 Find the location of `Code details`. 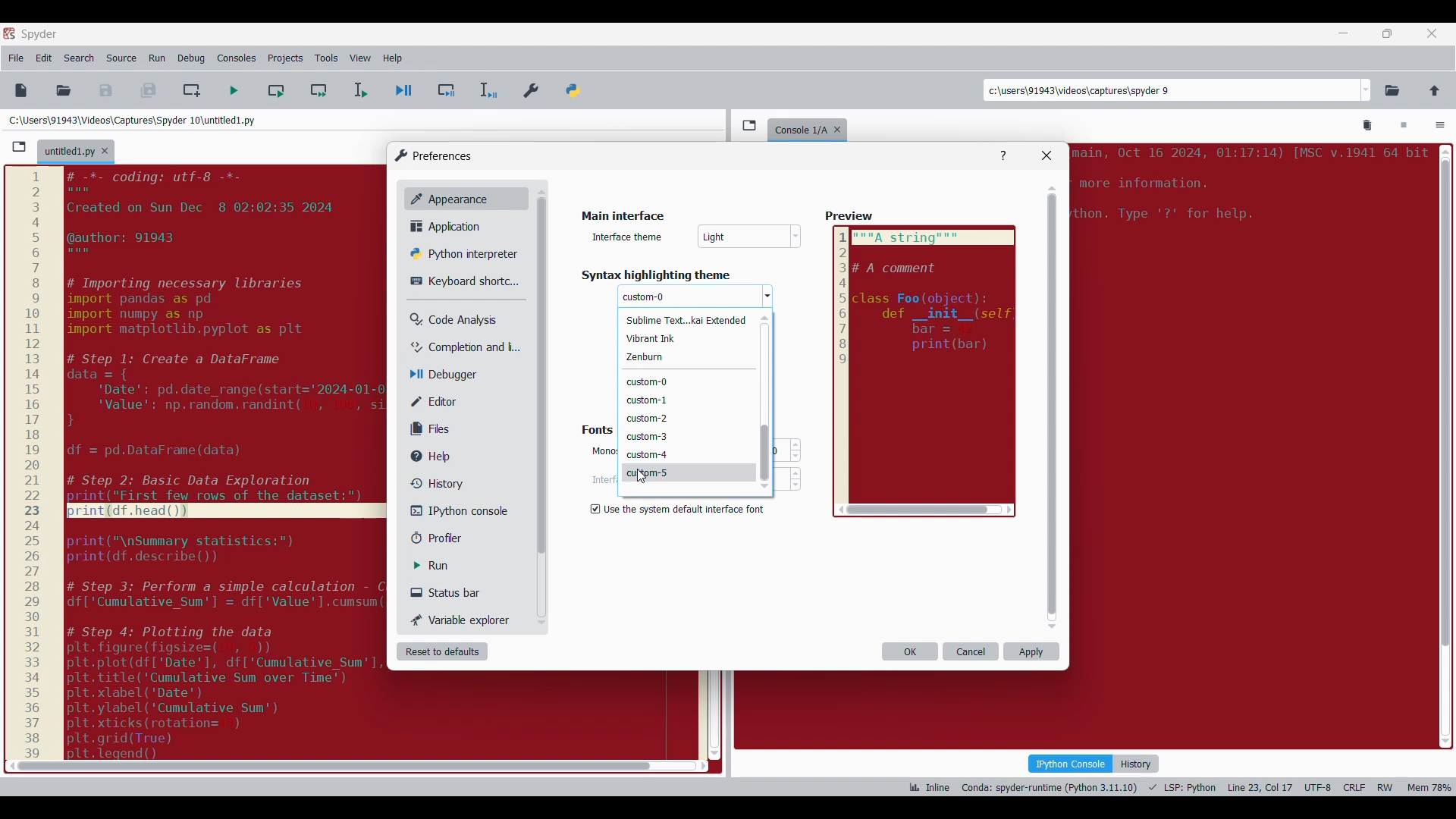

Code details is located at coordinates (1178, 787).